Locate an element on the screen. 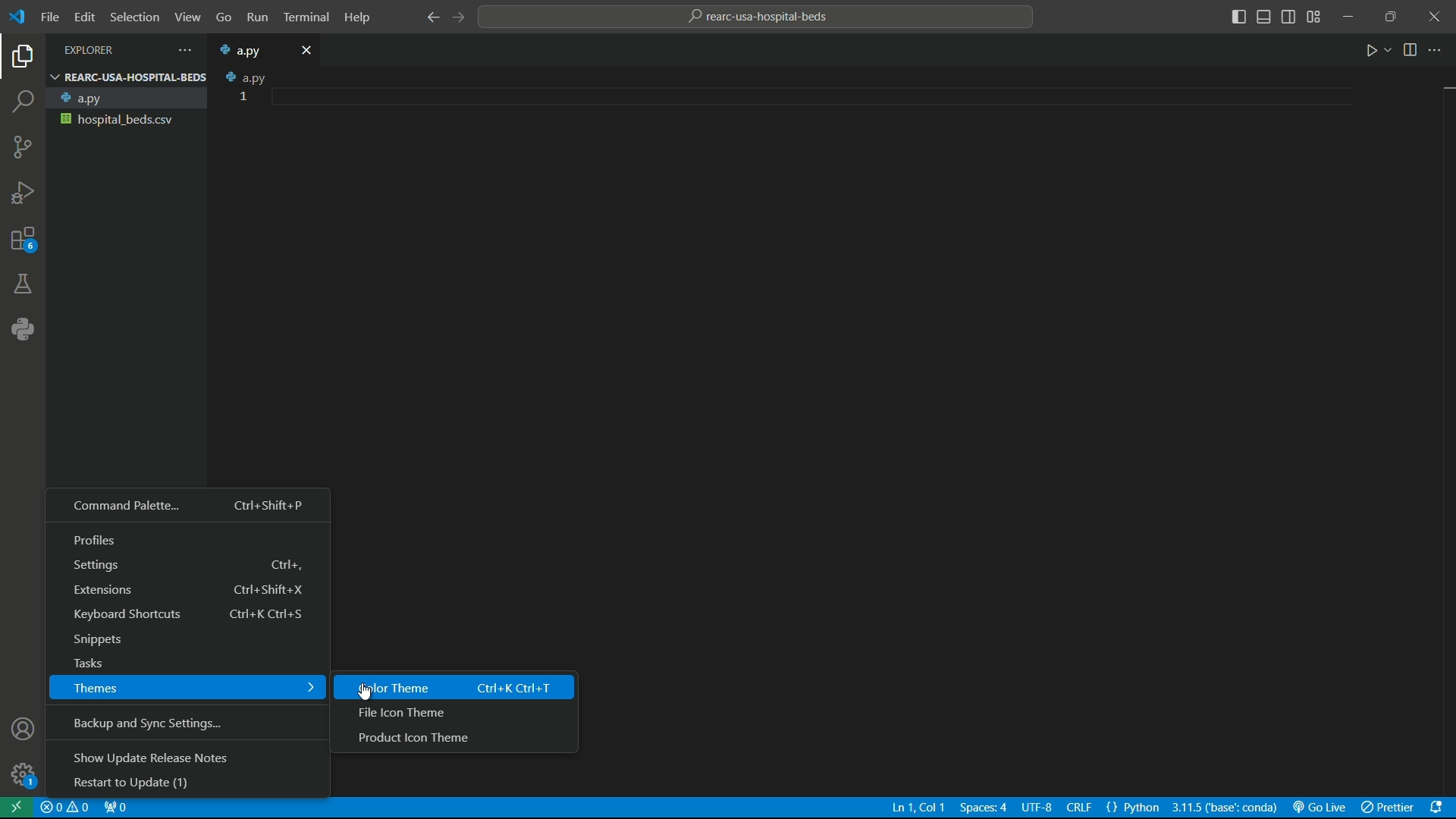 The height and width of the screenshot is (819, 1456). EXPLORER is located at coordinates (102, 50).